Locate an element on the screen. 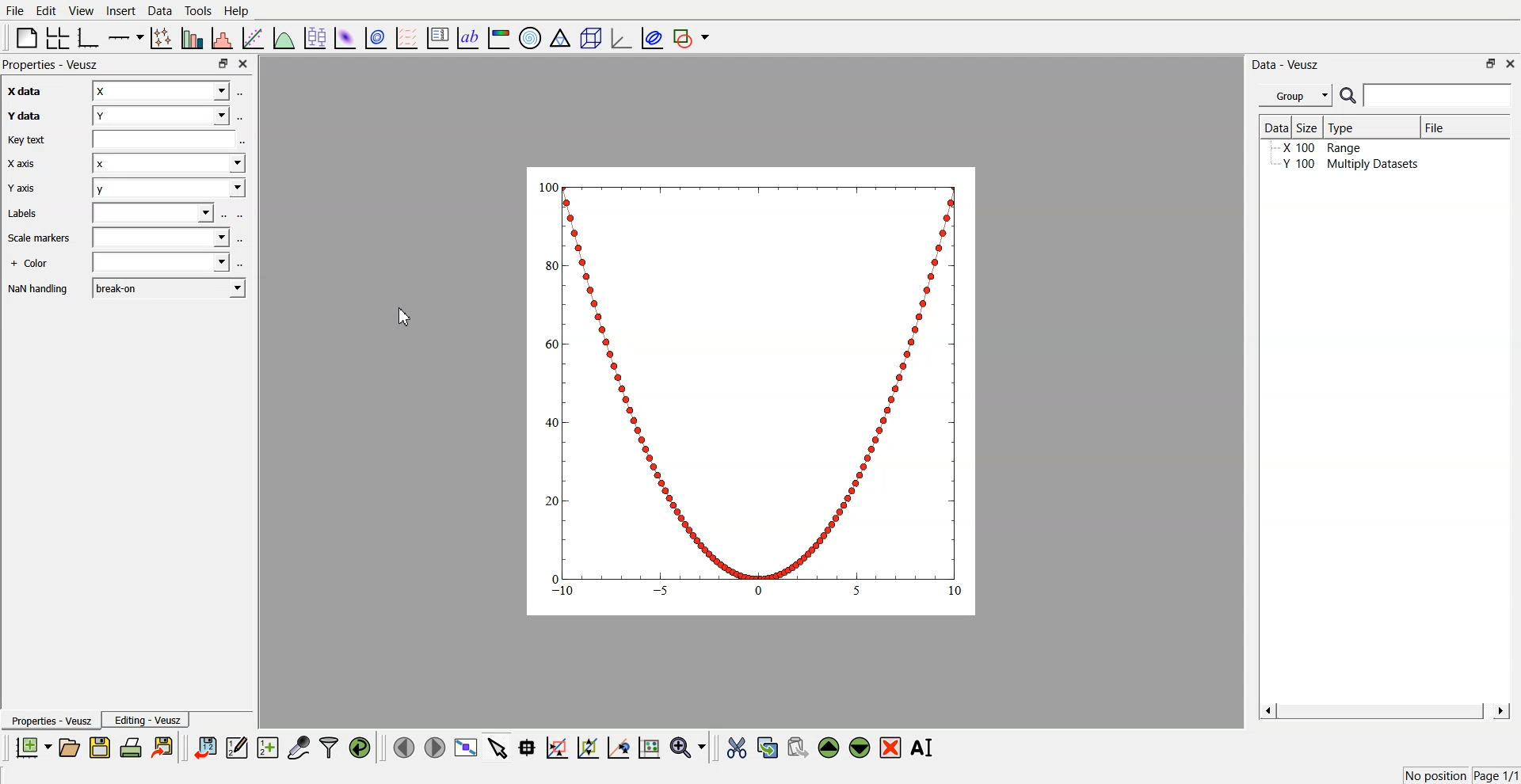 Image resolution: width=1521 pixels, height=784 pixels. recenter the graph axes is located at coordinates (618, 747).